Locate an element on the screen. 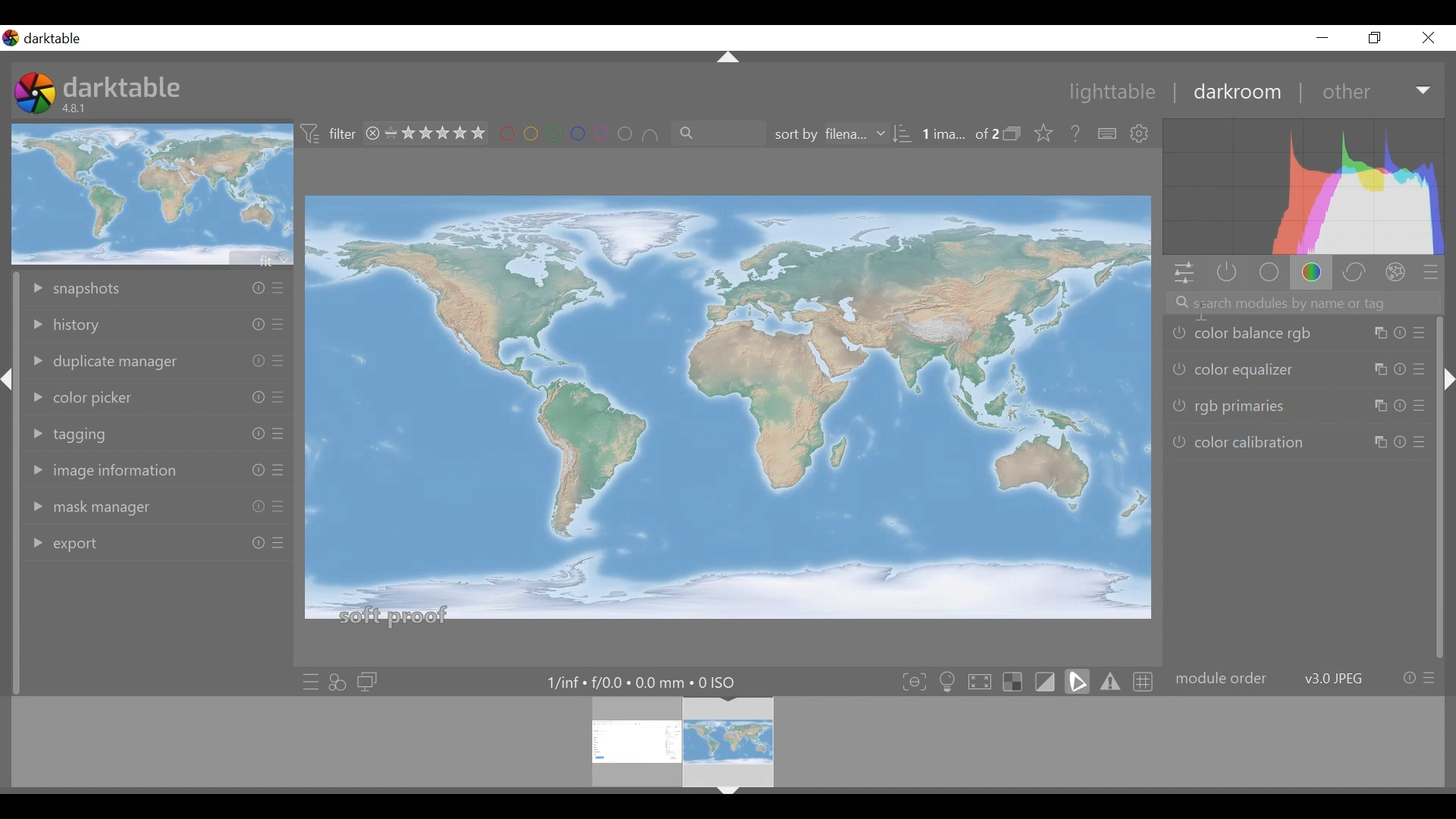  history is located at coordinates (104, 325).